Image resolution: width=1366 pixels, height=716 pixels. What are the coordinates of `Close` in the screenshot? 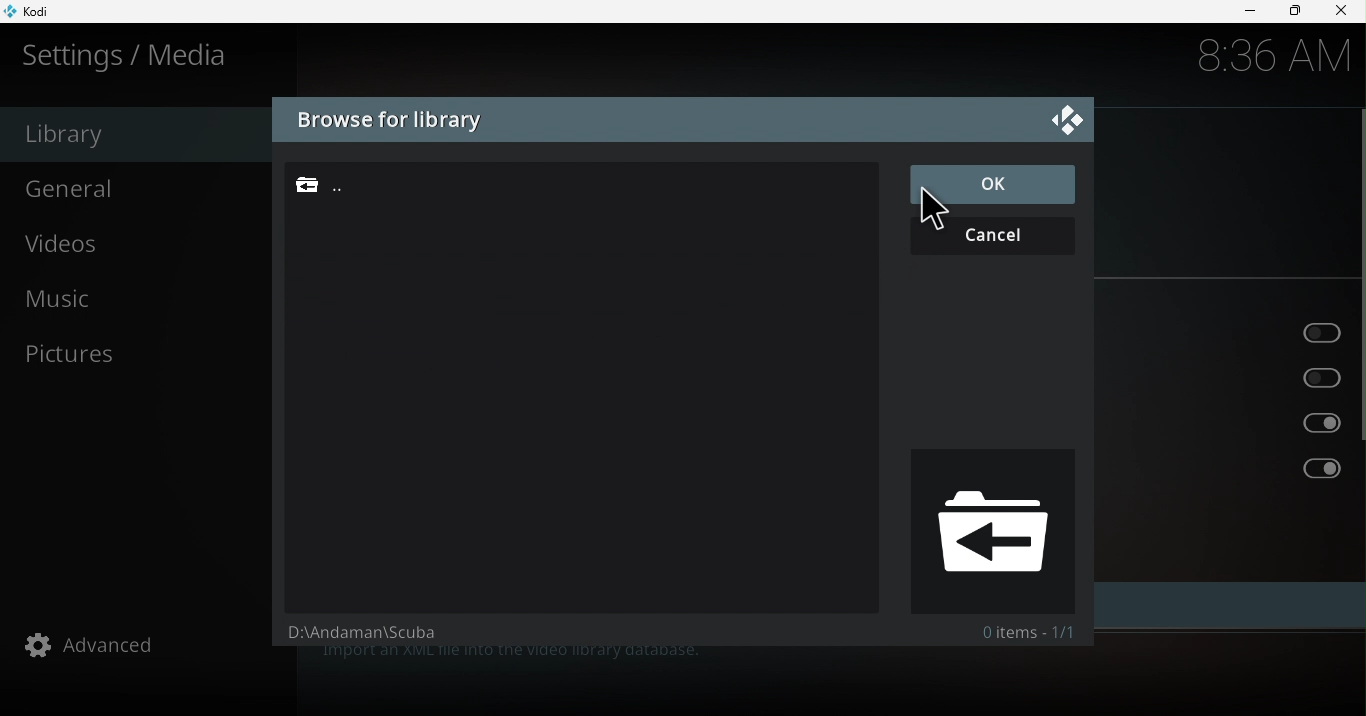 It's located at (1067, 118).